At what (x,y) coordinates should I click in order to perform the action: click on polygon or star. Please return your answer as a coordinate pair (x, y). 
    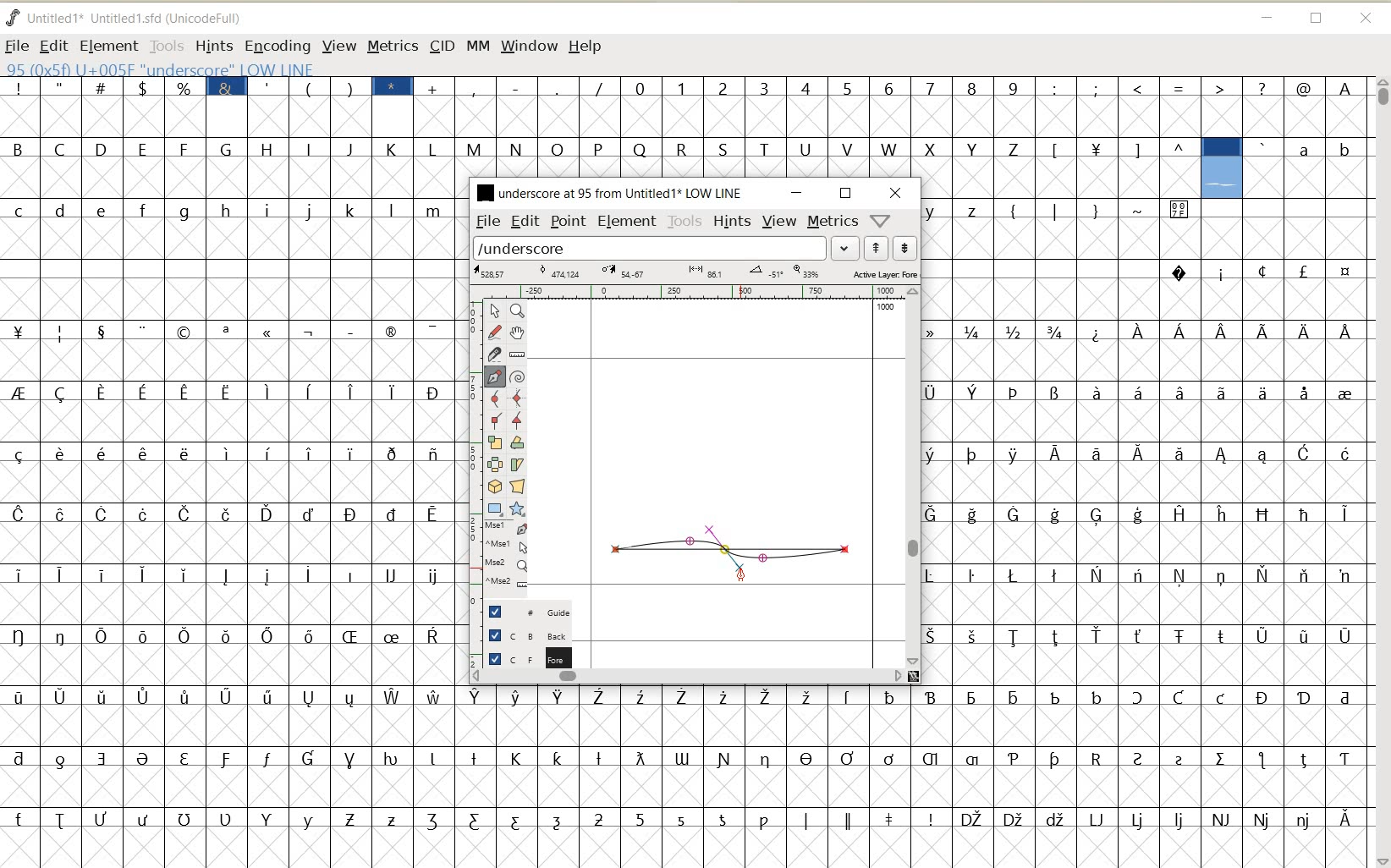
    Looking at the image, I should click on (516, 508).